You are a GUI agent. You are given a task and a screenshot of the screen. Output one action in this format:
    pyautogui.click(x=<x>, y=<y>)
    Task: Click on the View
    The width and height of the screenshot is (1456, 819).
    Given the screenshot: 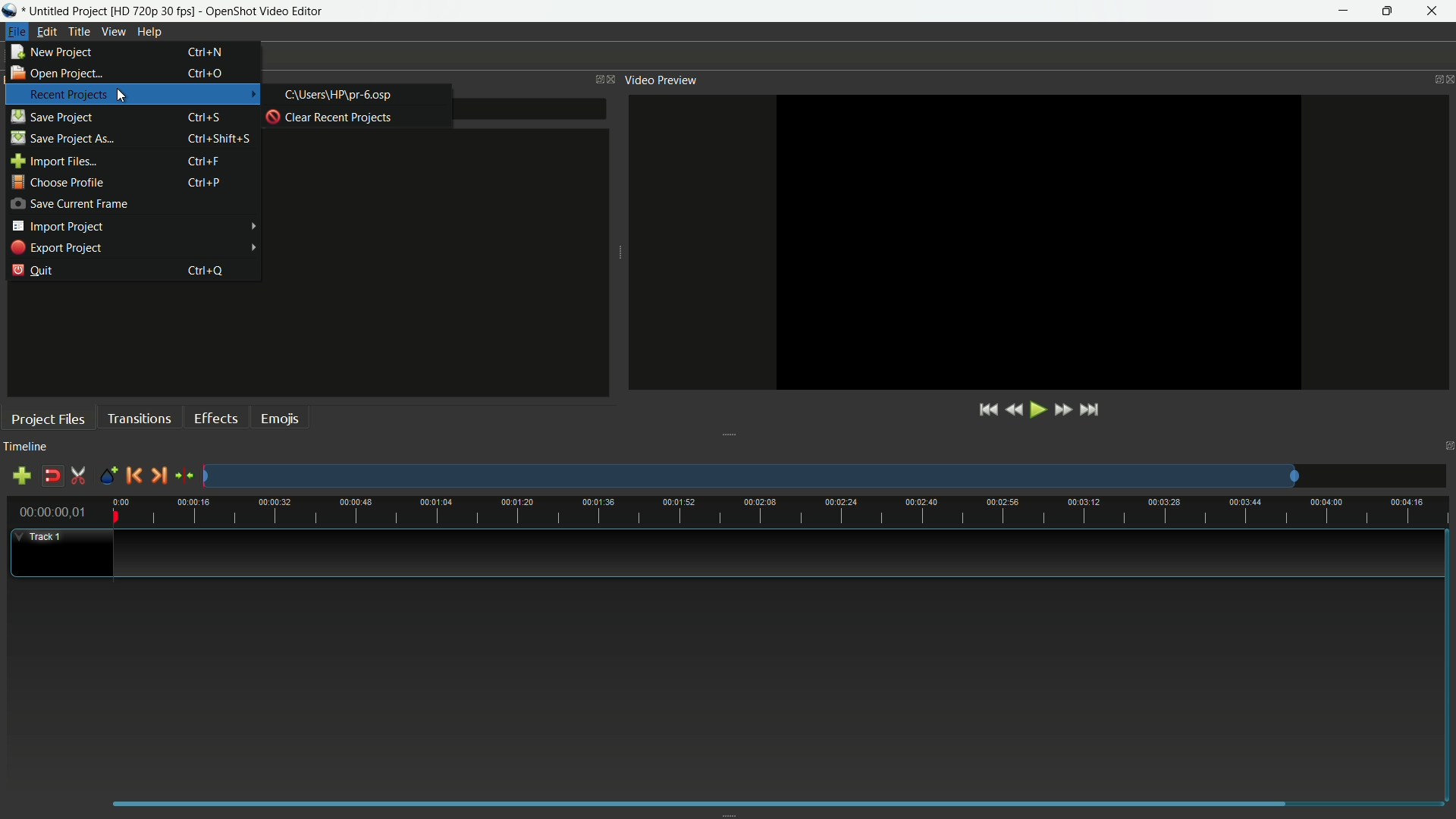 What is the action you would take?
    pyautogui.click(x=115, y=32)
    